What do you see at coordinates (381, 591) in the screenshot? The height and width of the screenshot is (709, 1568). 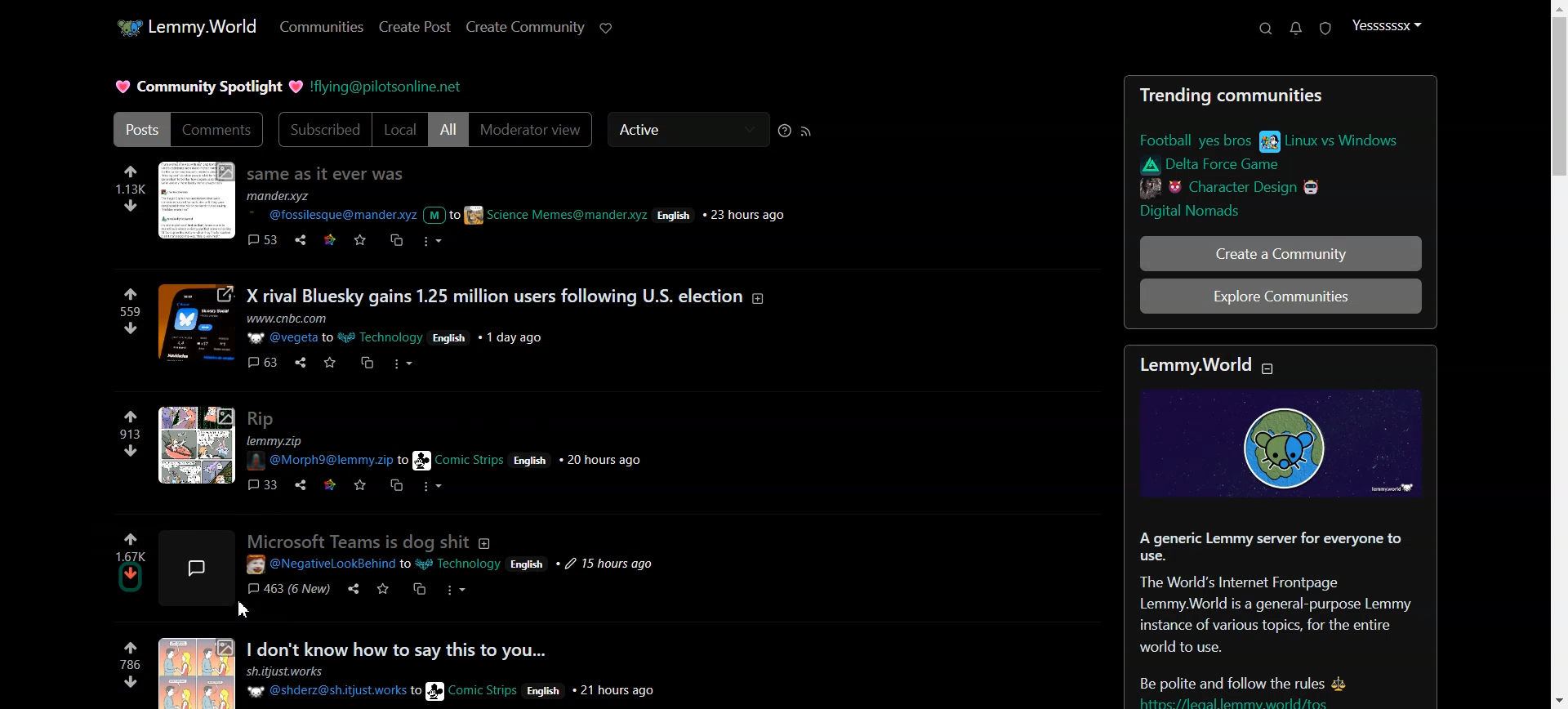 I see `save` at bounding box center [381, 591].